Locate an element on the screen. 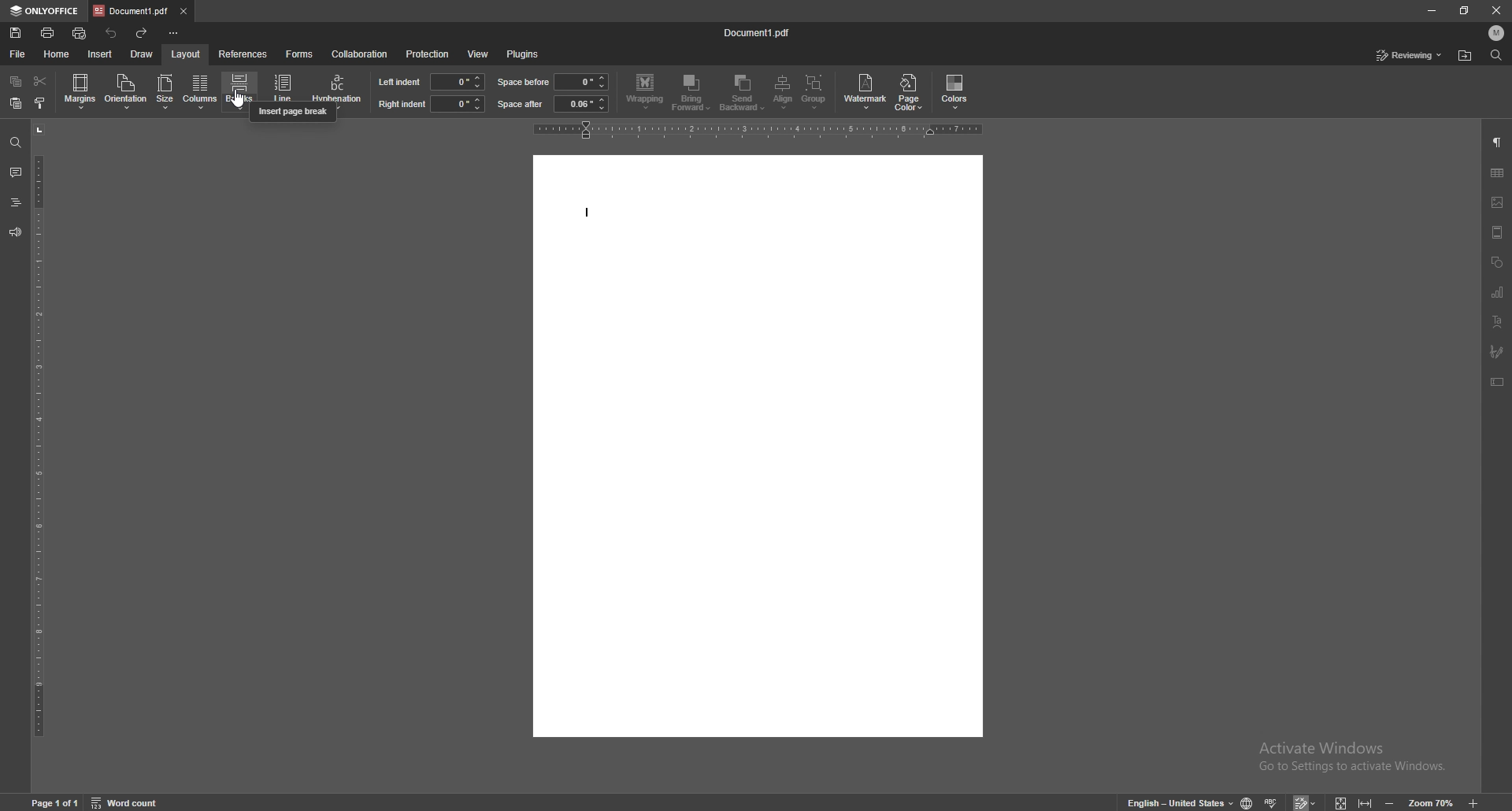 The height and width of the screenshot is (811, 1512). comment is located at coordinates (16, 172).